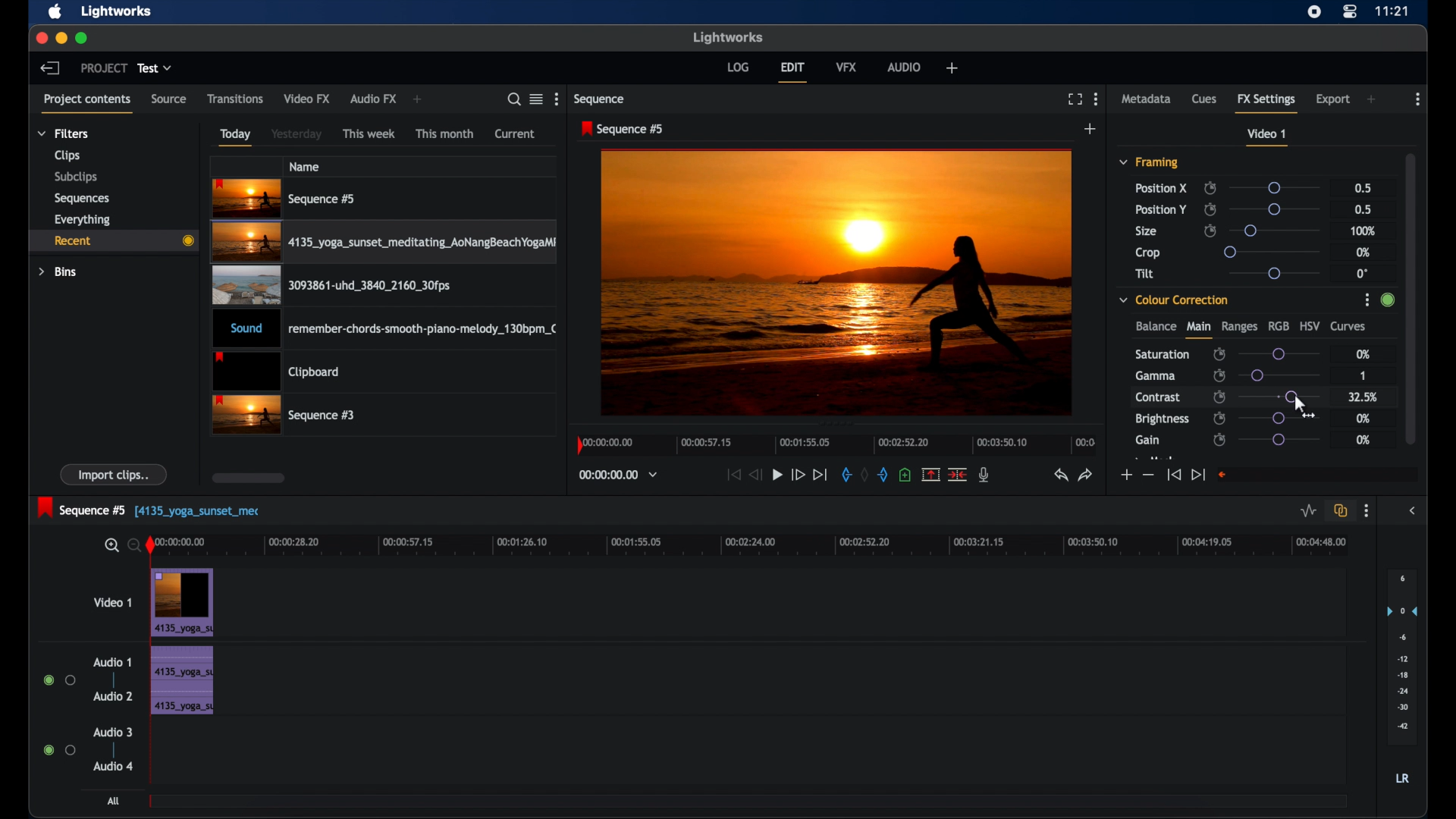  What do you see at coordinates (1314, 12) in the screenshot?
I see `screen recorder icon` at bounding box center [1314, 12].